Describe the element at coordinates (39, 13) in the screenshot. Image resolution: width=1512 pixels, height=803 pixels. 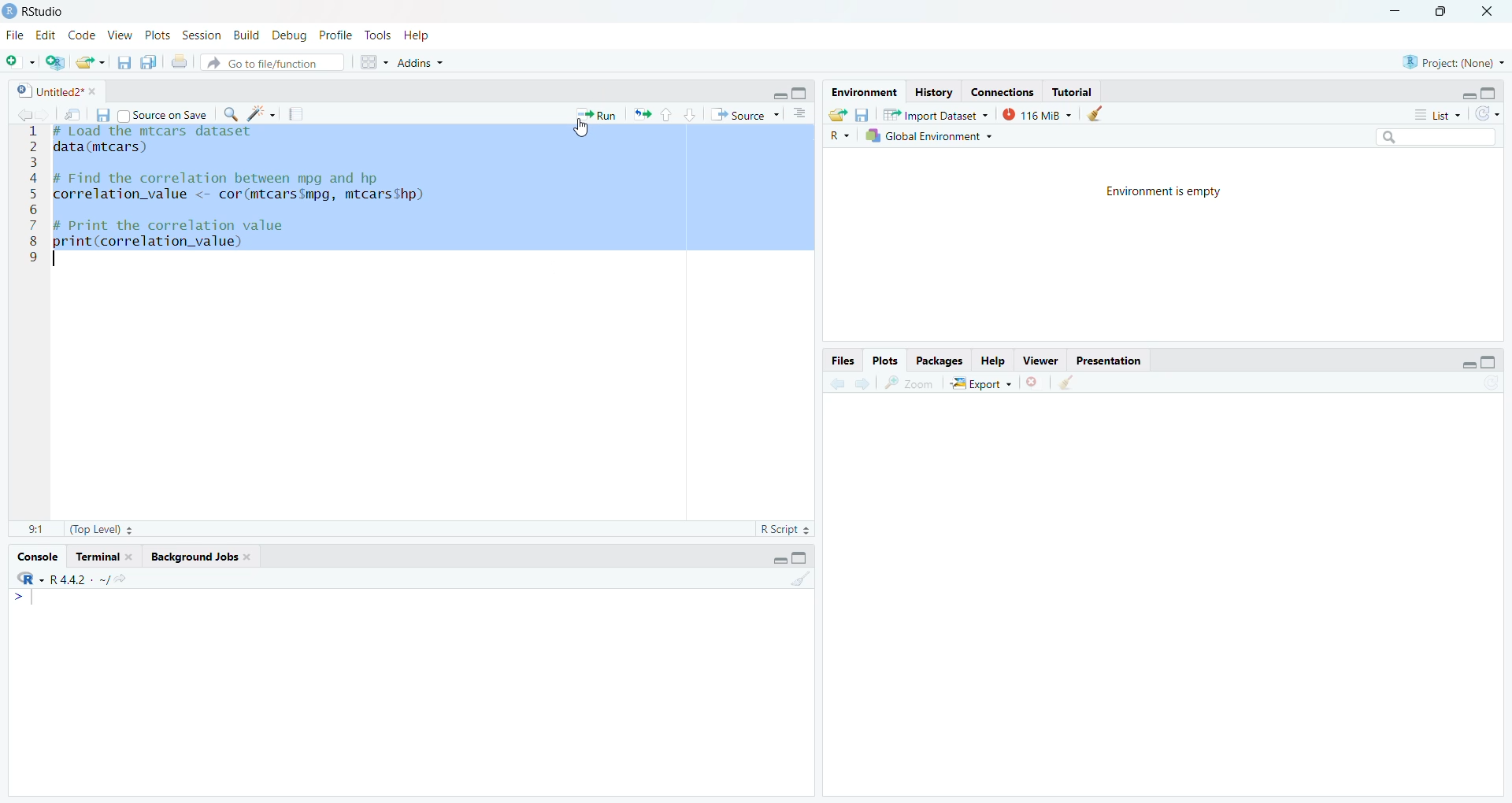
I see `RStudio` at that location.